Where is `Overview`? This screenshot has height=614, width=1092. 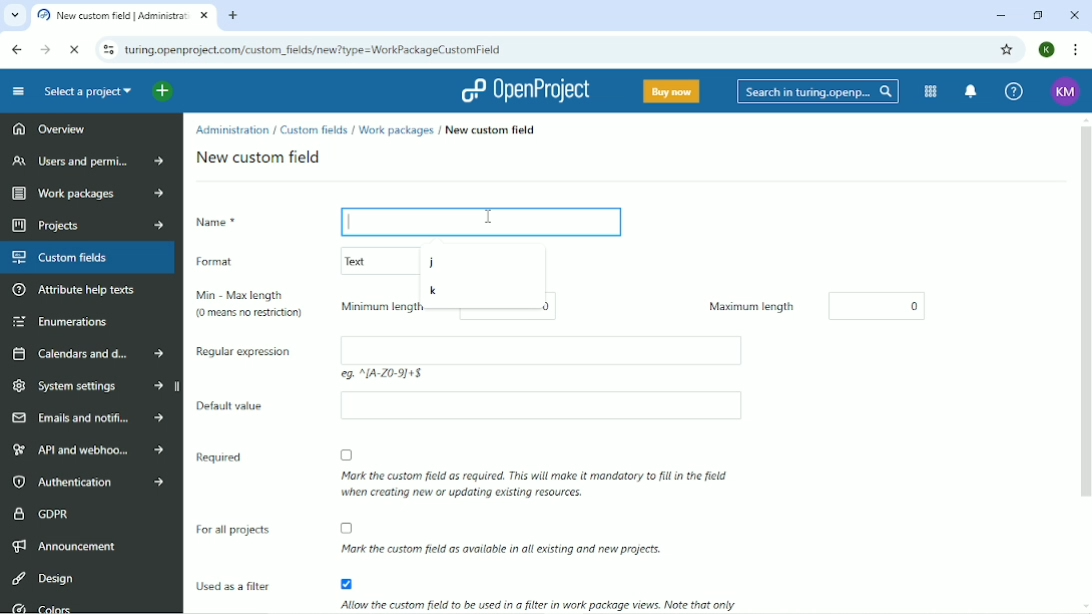 Overview is located at coordinates (49, 127).